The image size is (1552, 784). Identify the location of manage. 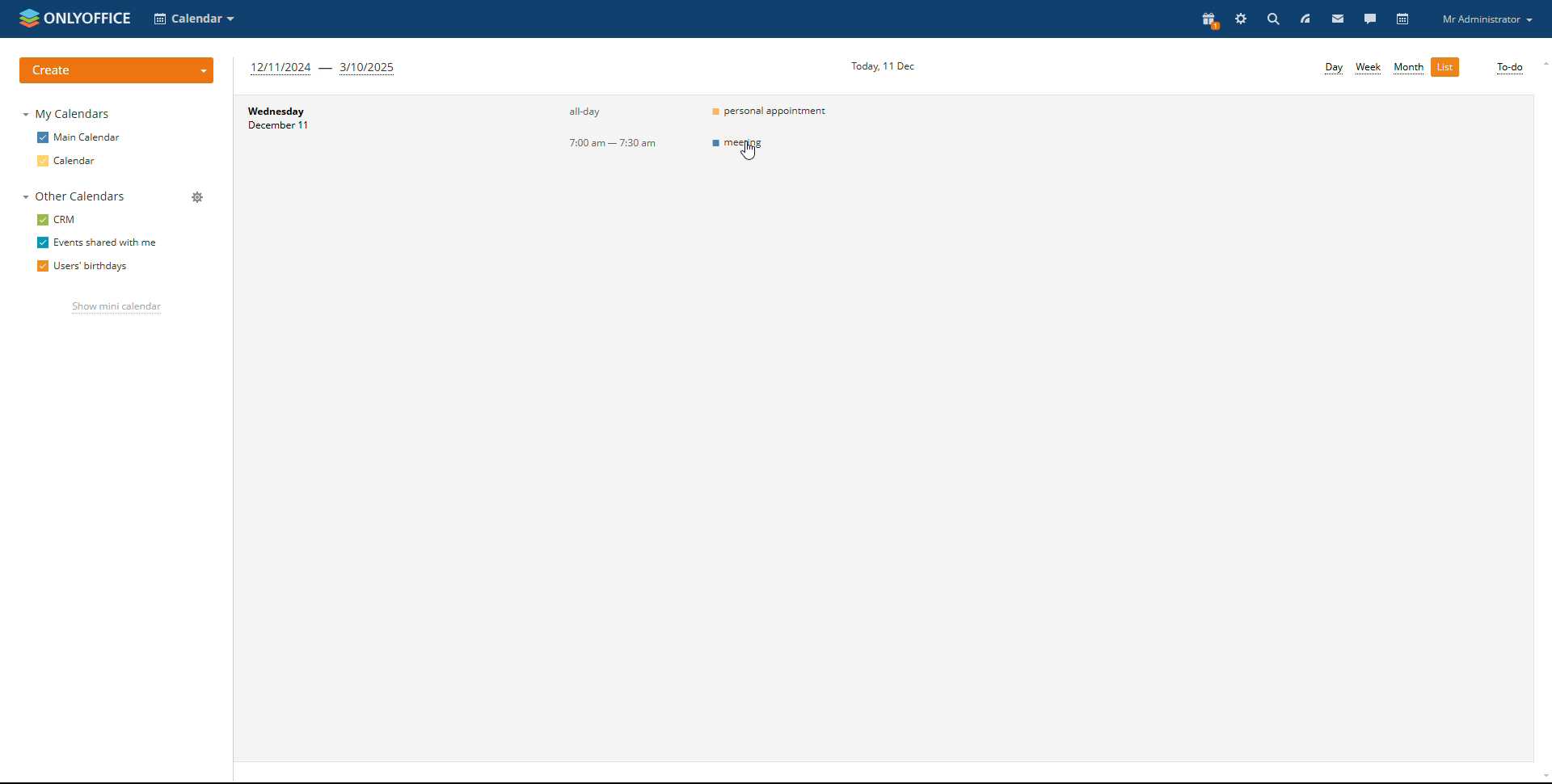
(197, 199).